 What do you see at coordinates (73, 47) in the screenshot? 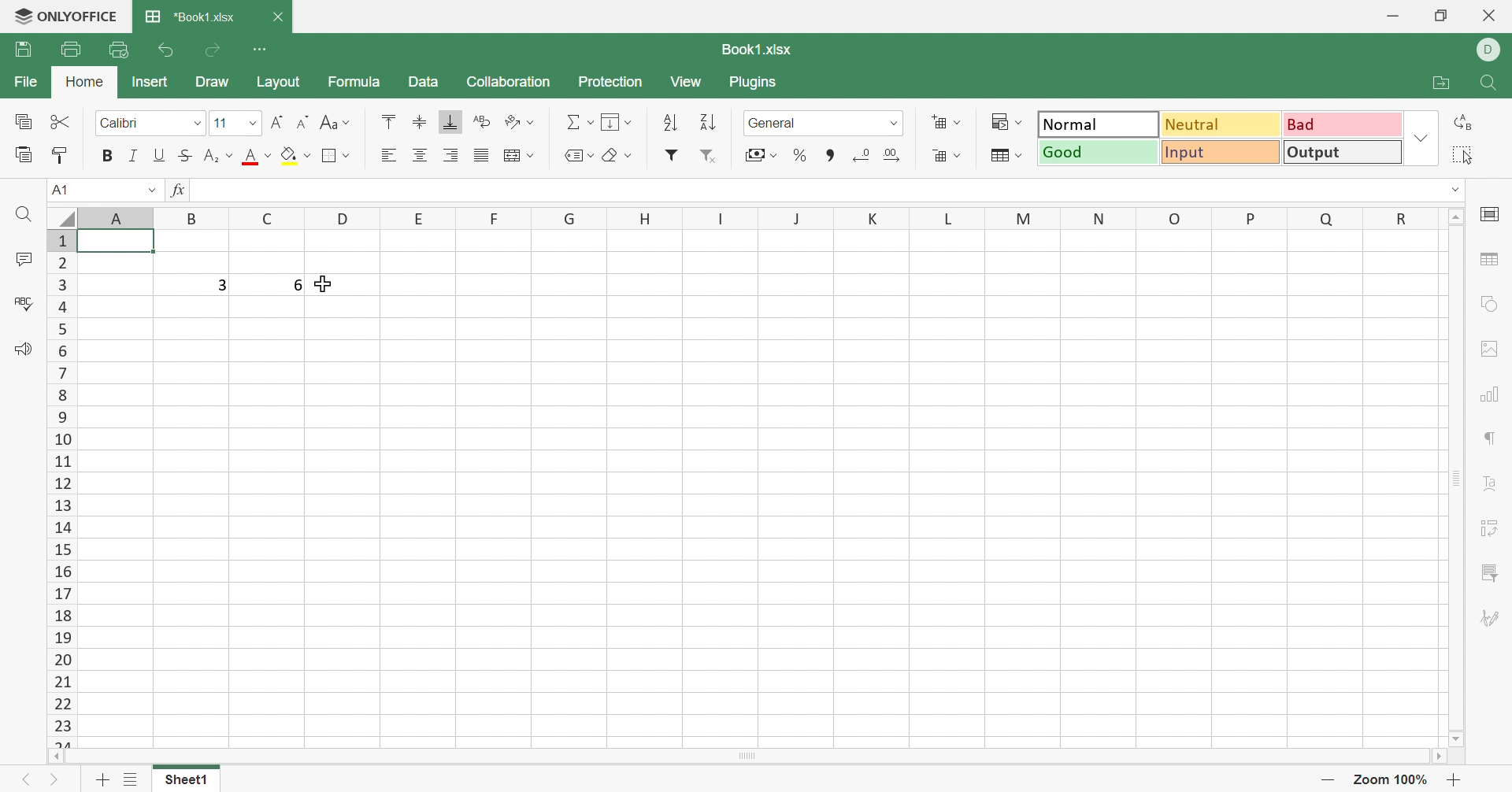
I see `Print file` at bounding box center [73, 47].